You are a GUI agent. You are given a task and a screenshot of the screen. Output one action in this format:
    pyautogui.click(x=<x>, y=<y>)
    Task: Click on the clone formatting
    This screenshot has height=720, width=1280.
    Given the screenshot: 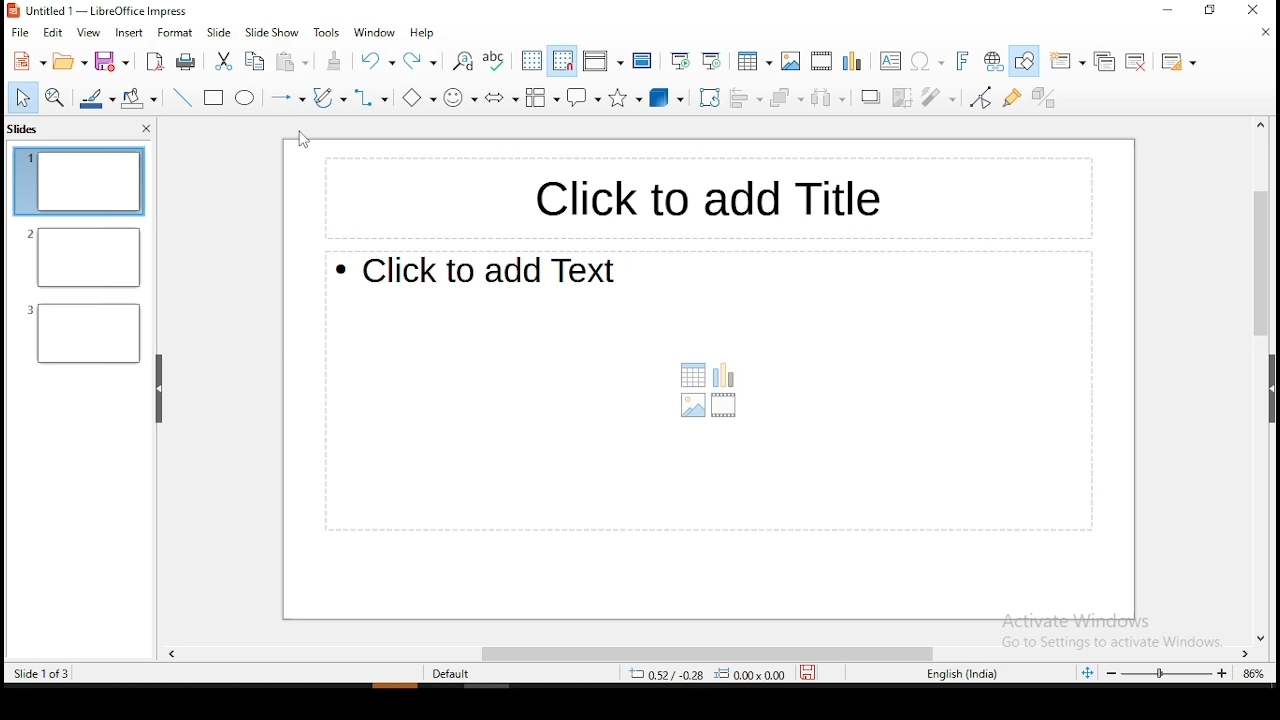 What is the action you would take?
    pyautogui.click(x=335, y=63)
    